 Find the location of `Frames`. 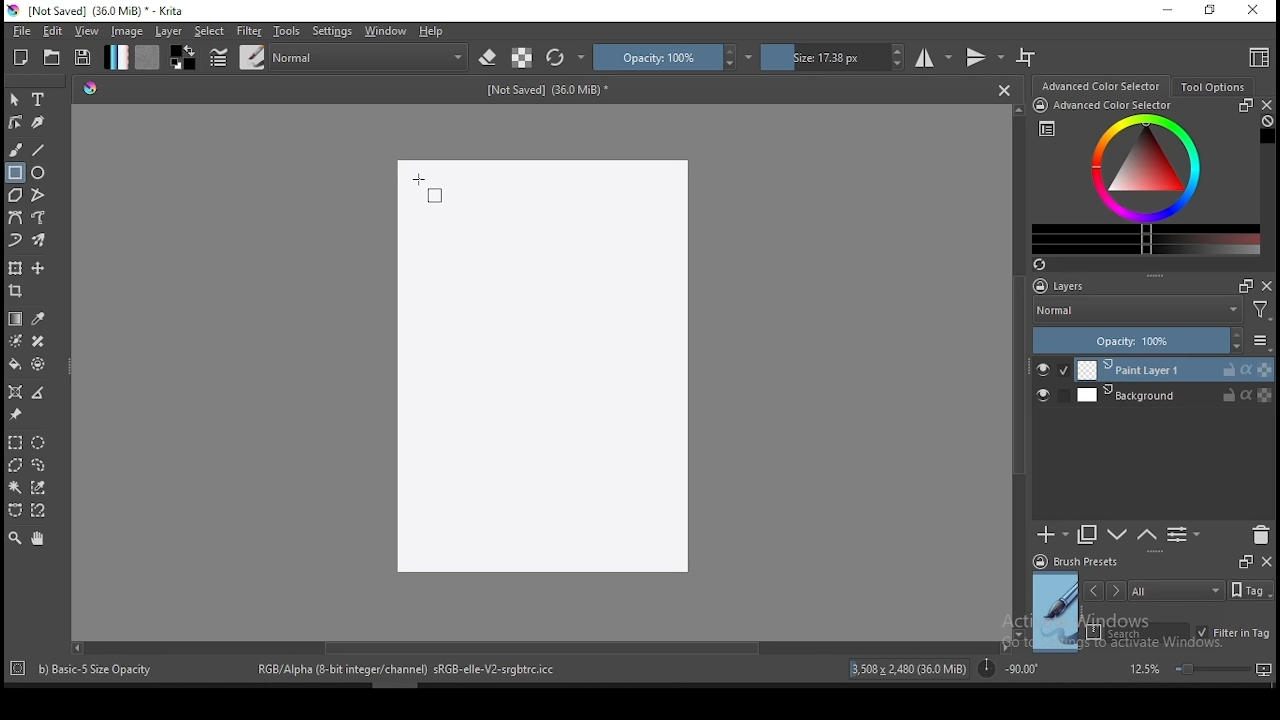

Frames is located at coordinates (1240, 285).